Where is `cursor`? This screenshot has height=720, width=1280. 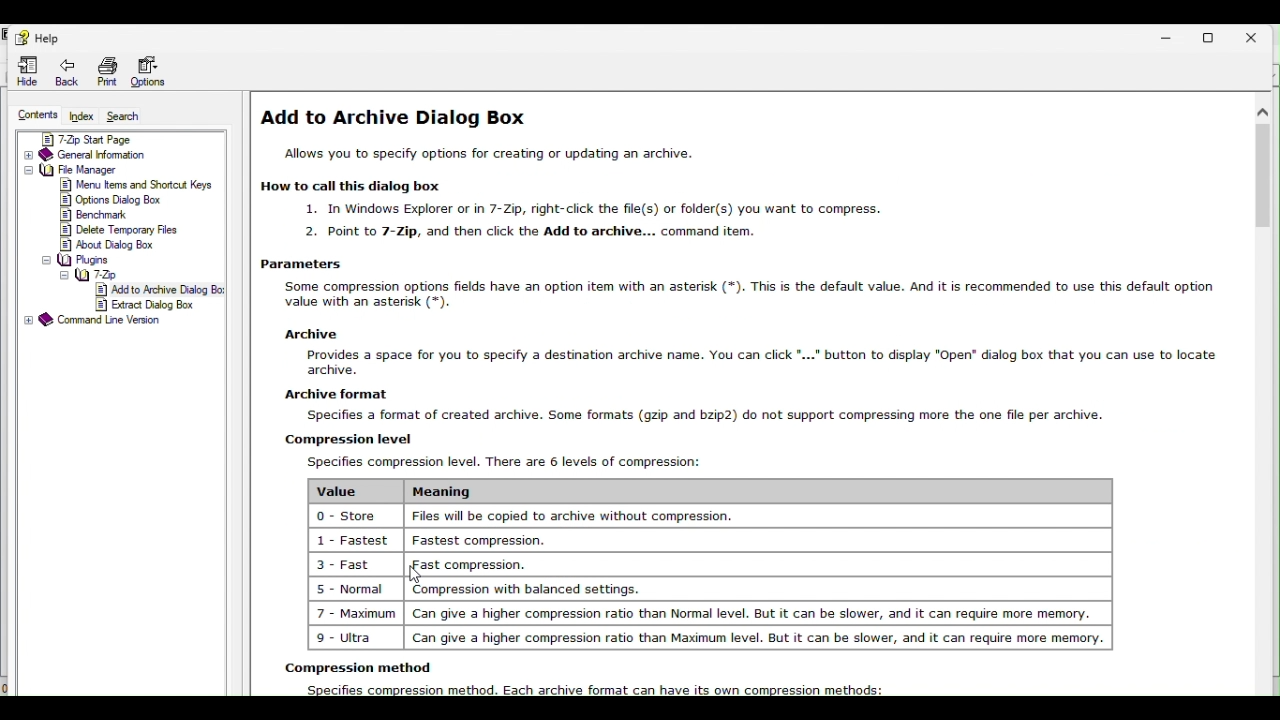 cursor is located at coordinates (420, 580).